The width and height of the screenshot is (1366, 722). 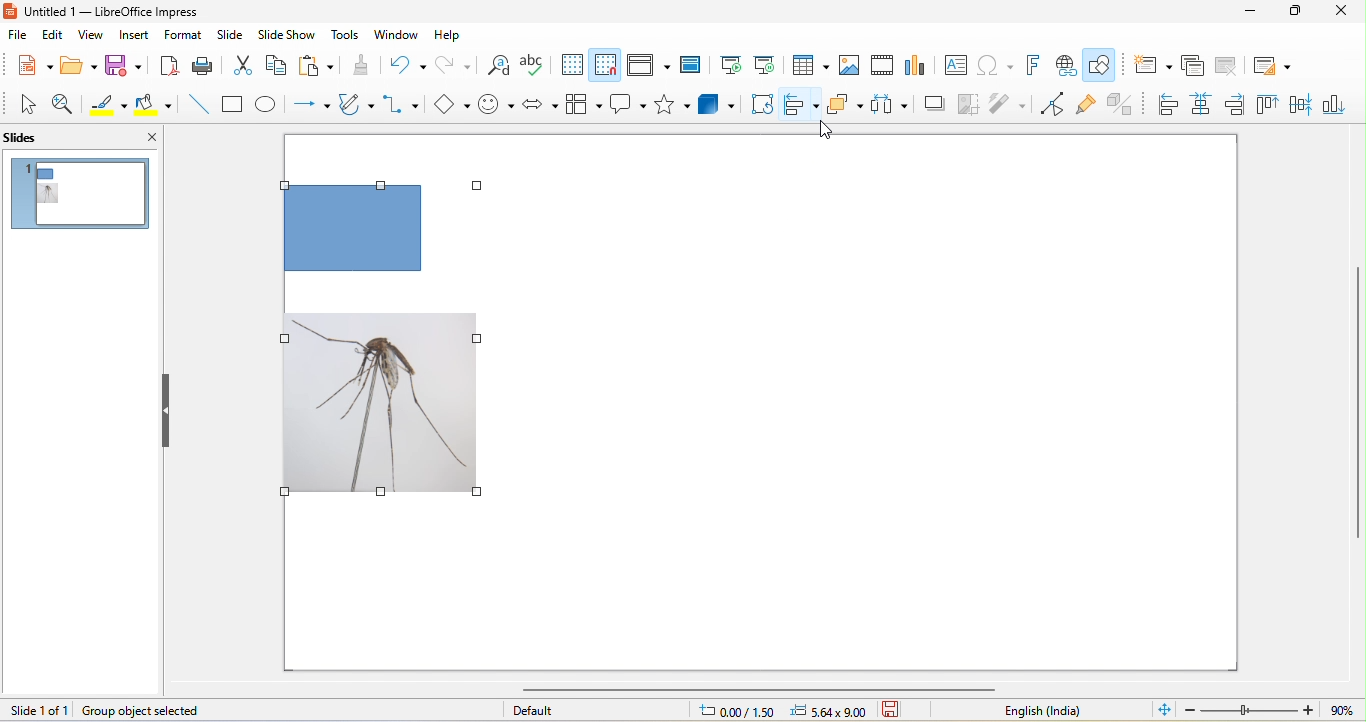 What do you see at coordinates (129, 39) in the screenshot?
I see `insert` at bounding box center [129, 39].